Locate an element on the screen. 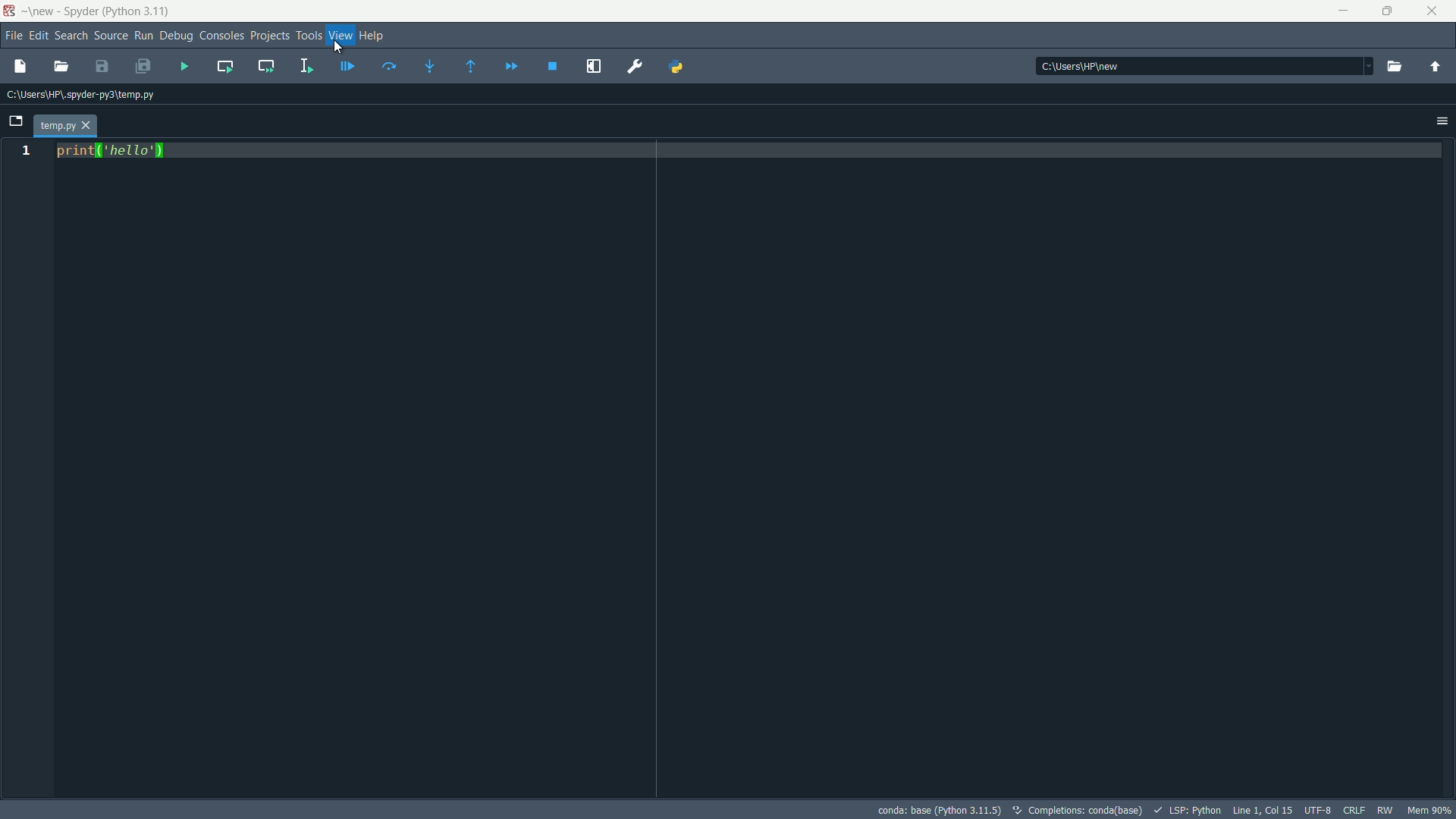 This screenshot has width=1456, height=819. browse directory is located at coordinates (1393, 66).